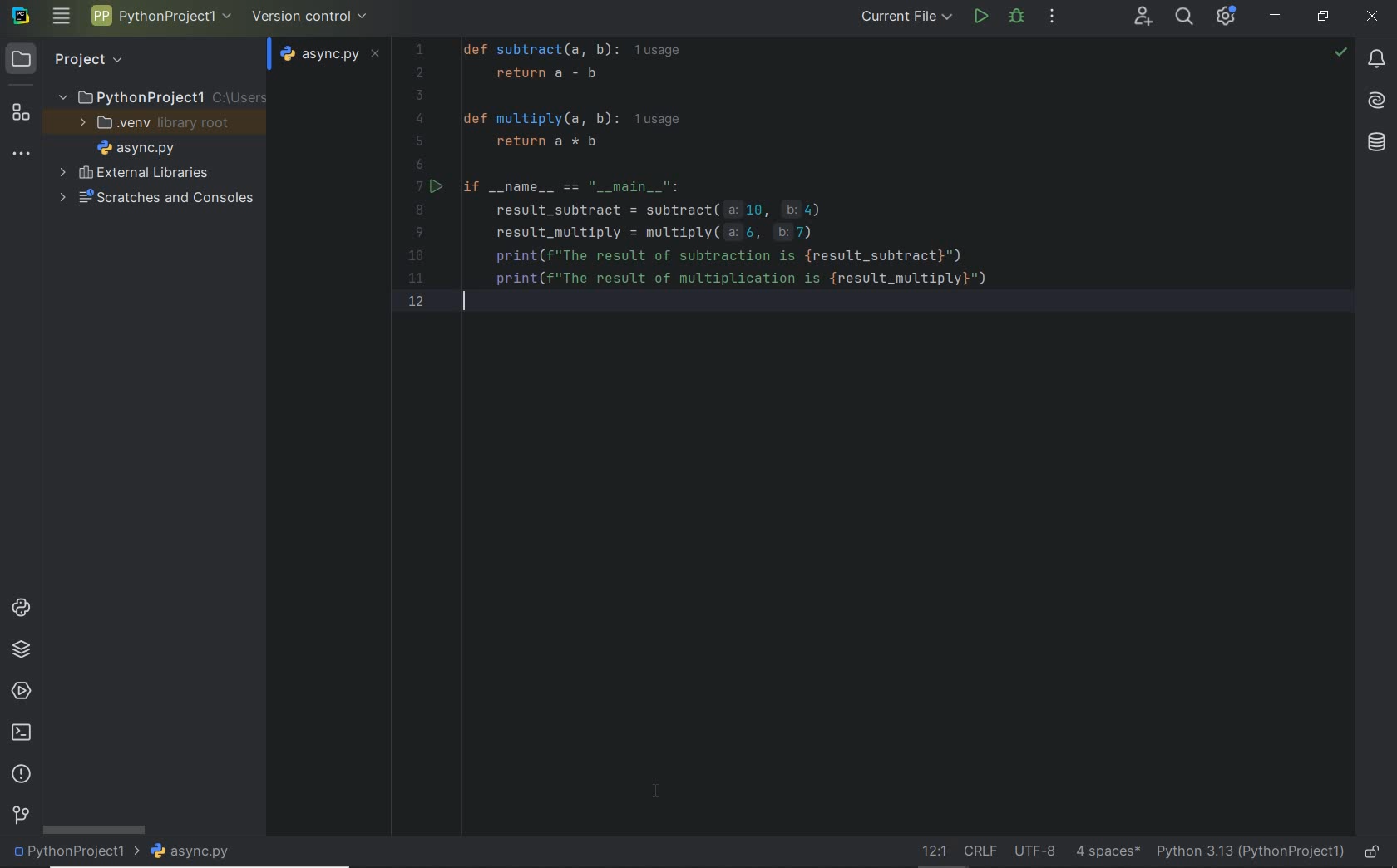 This screenshot has width=1397, height=868. I want to click on run, so click(980, 18).